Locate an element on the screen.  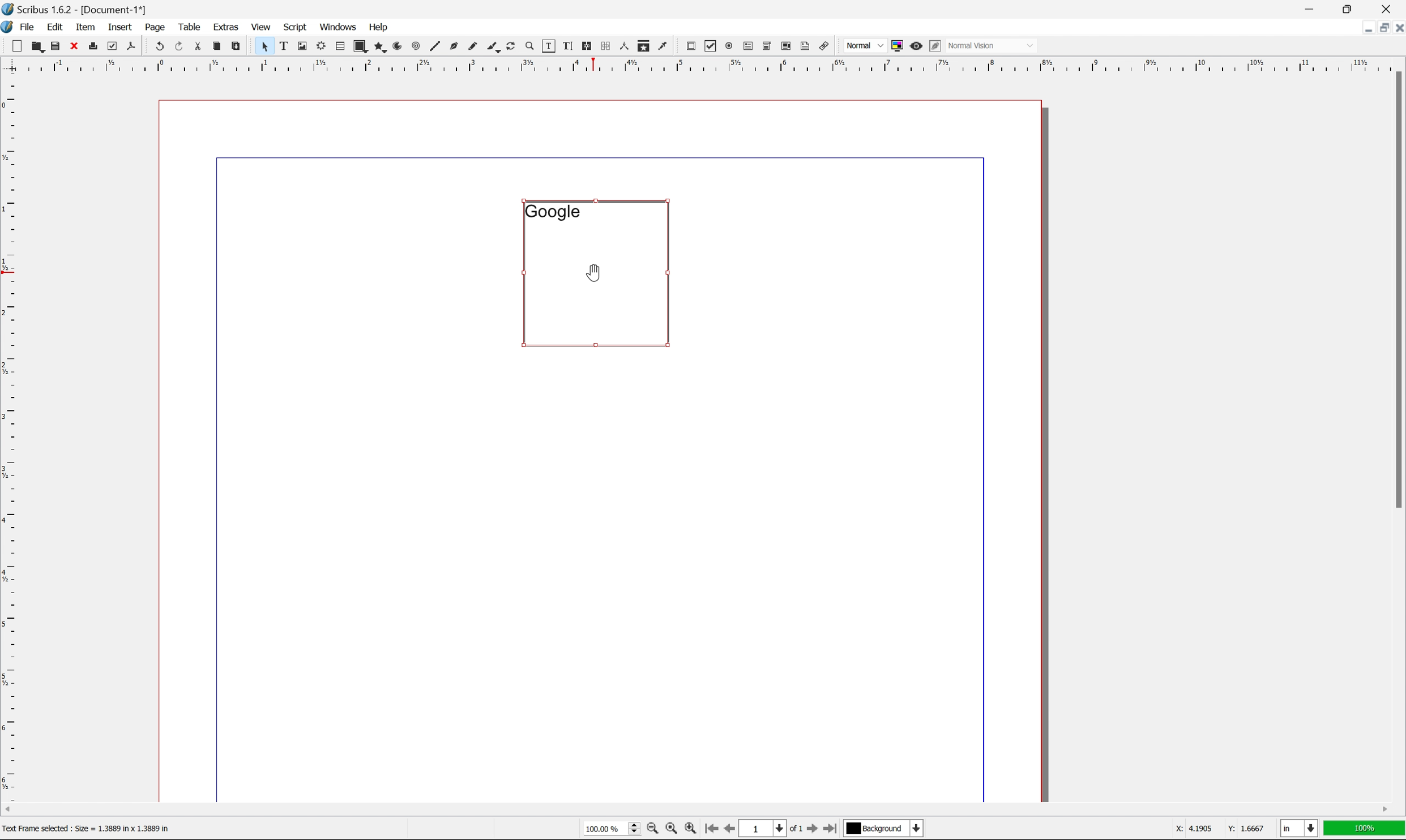
go to previous page is located at coordinates (730, 830).